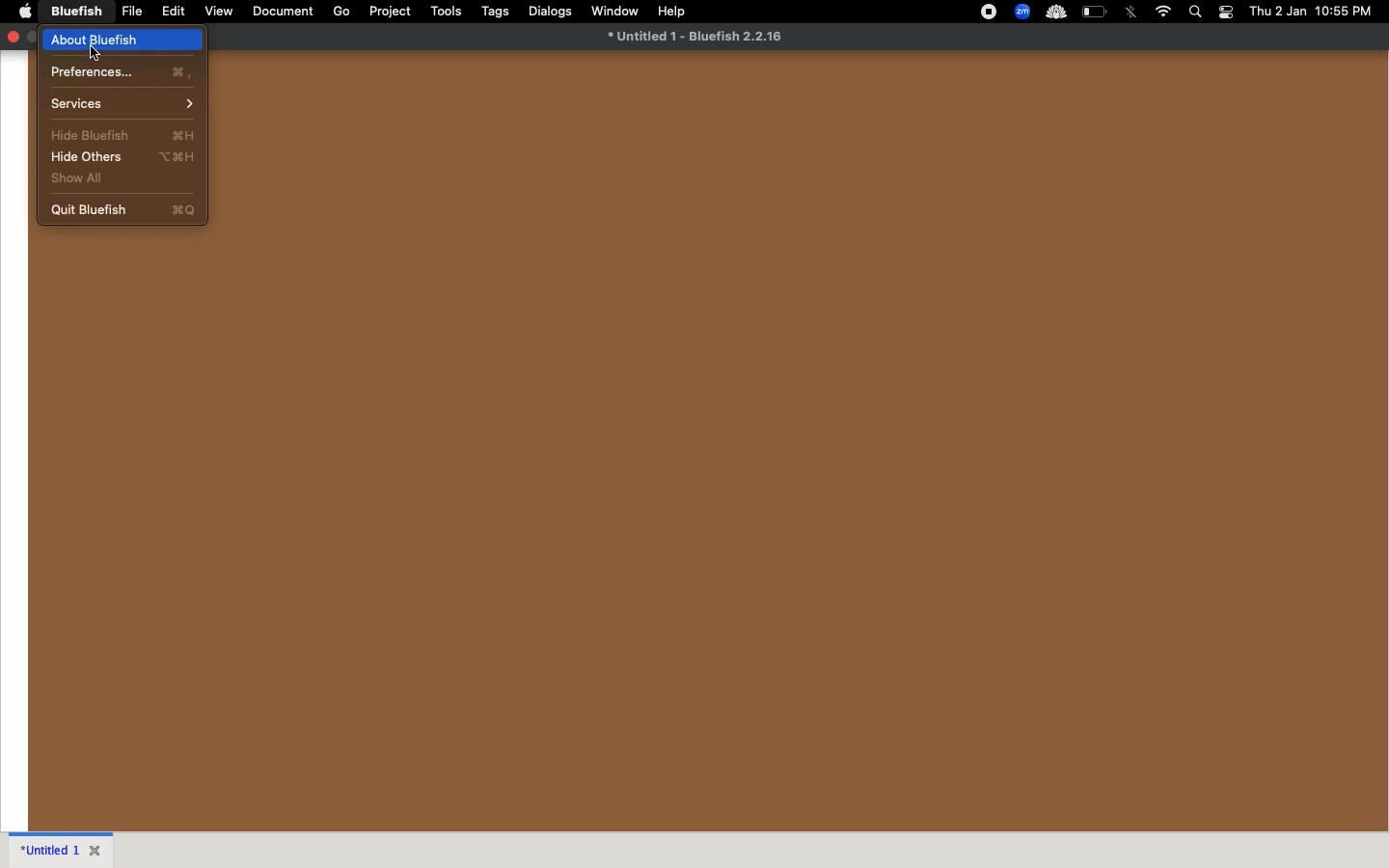  Describe the element at coordinates (123, 40) in the screenshot. I see `about bluefish` at that location.